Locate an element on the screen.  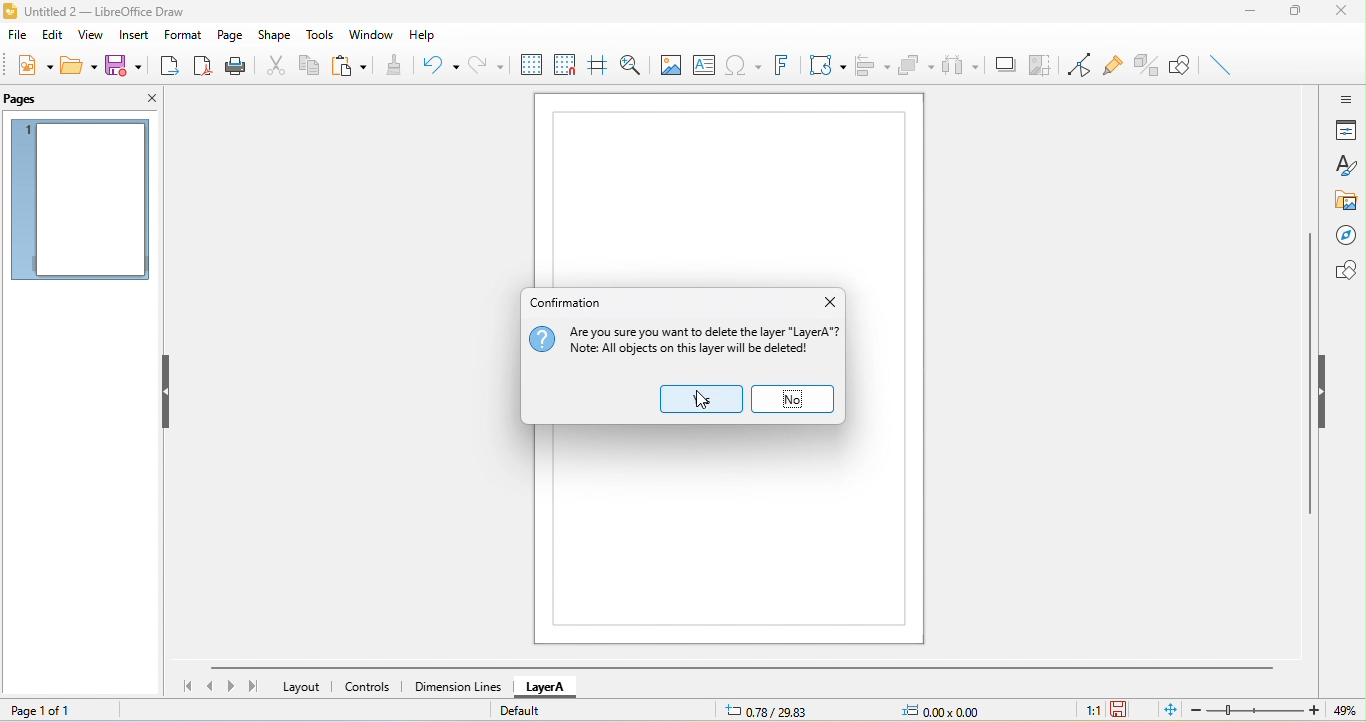
pages is located at coordinates (29, 100).